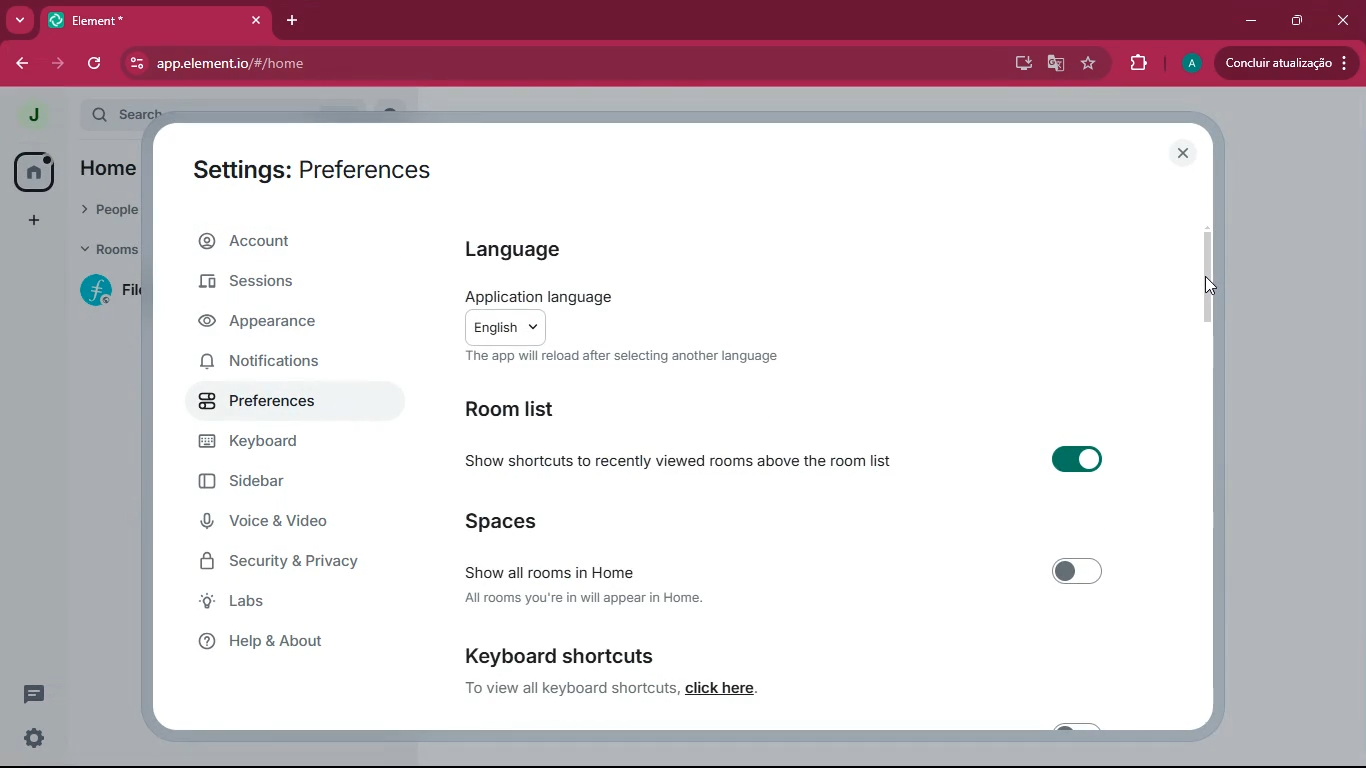 This screenshot has width=1366, height=768. I want to click on spaces, so click(563, 522).